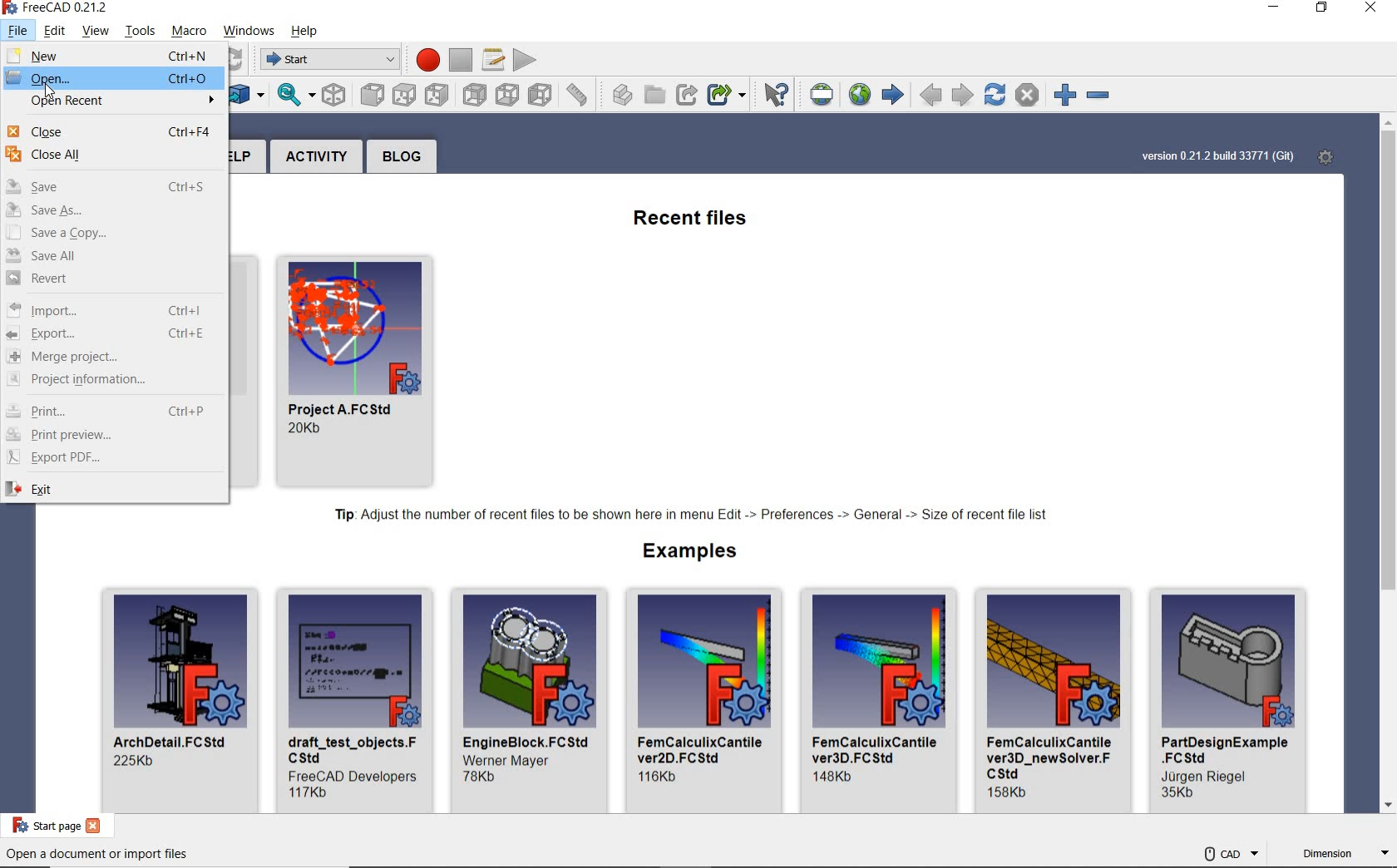  What do you see at coordinates (113, 234) in the screenshot?
I see `SAVE A COPY` at bounding box center [113, 234].